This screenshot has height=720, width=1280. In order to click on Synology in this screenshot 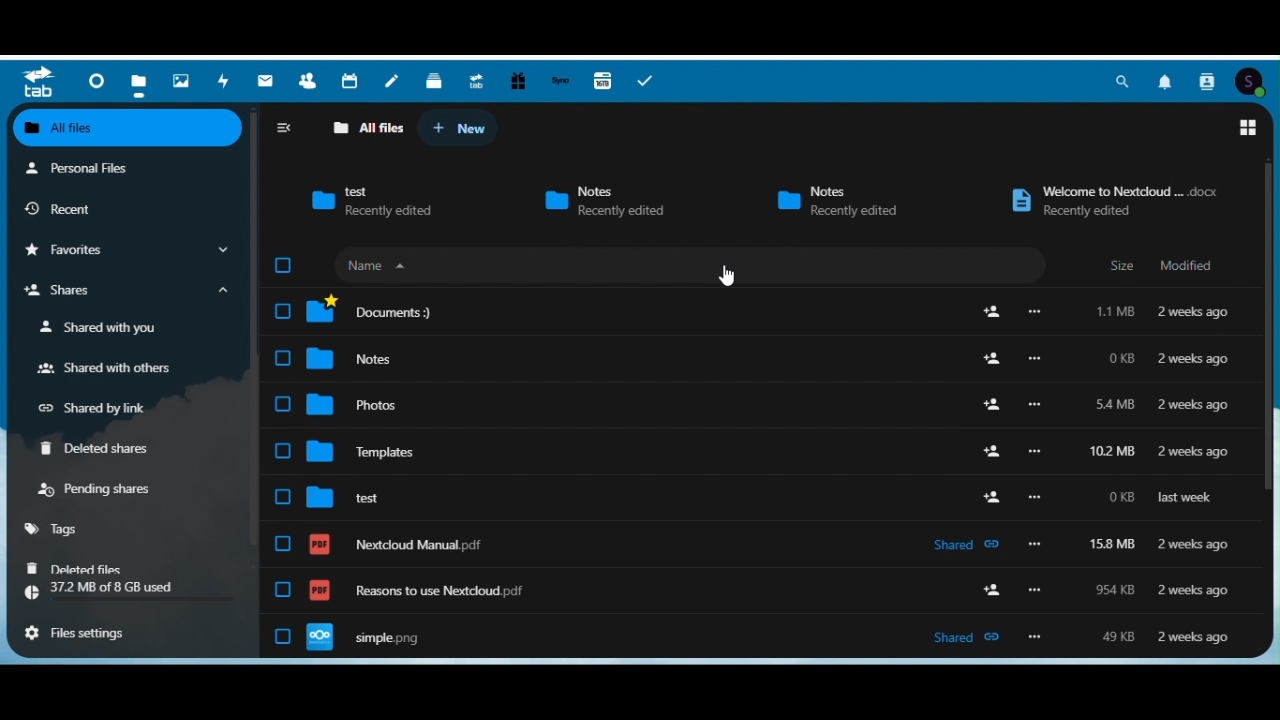, I will do `click(559, 80)`.